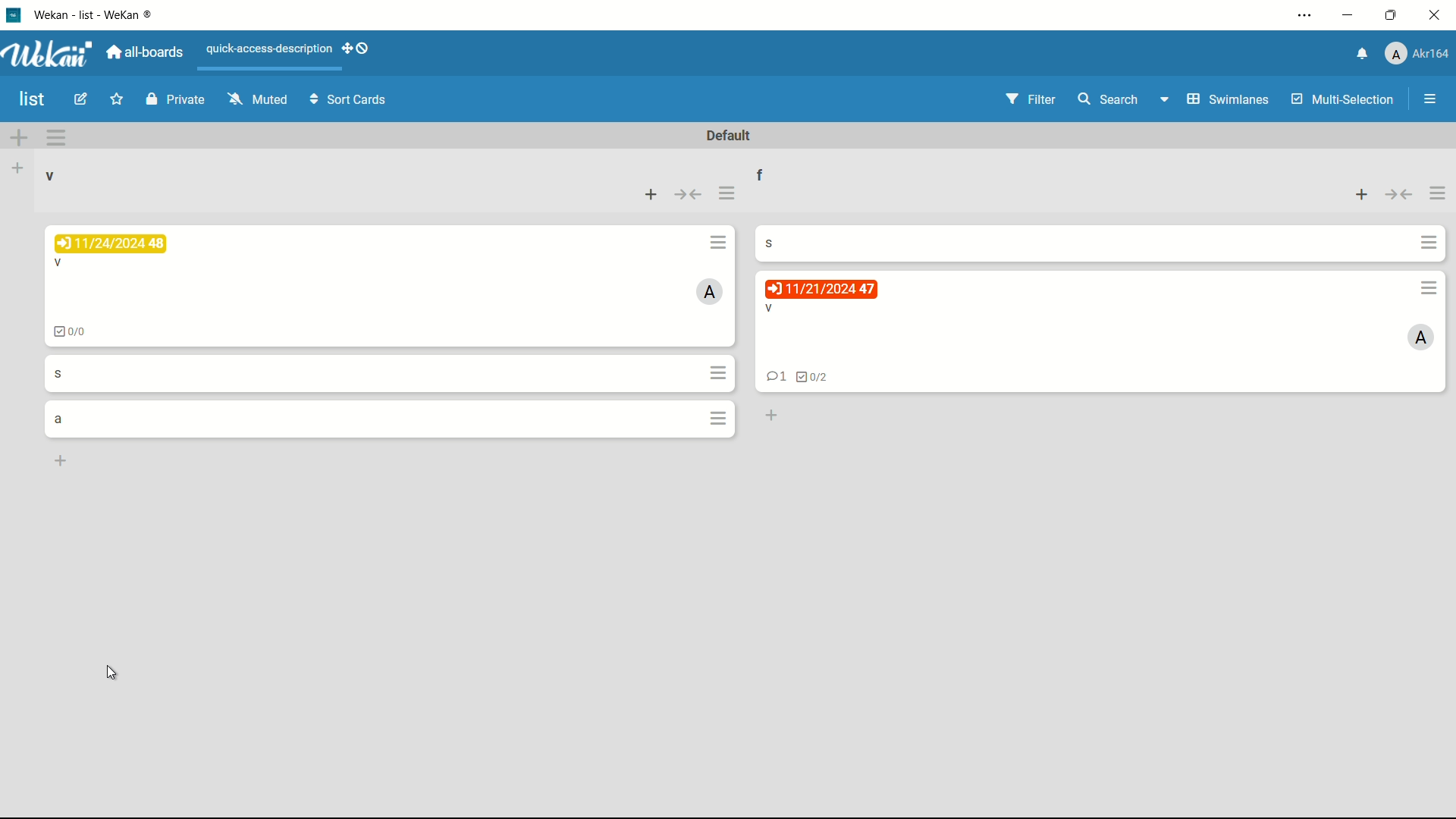  I want to click on card actions, so click(720, 372).